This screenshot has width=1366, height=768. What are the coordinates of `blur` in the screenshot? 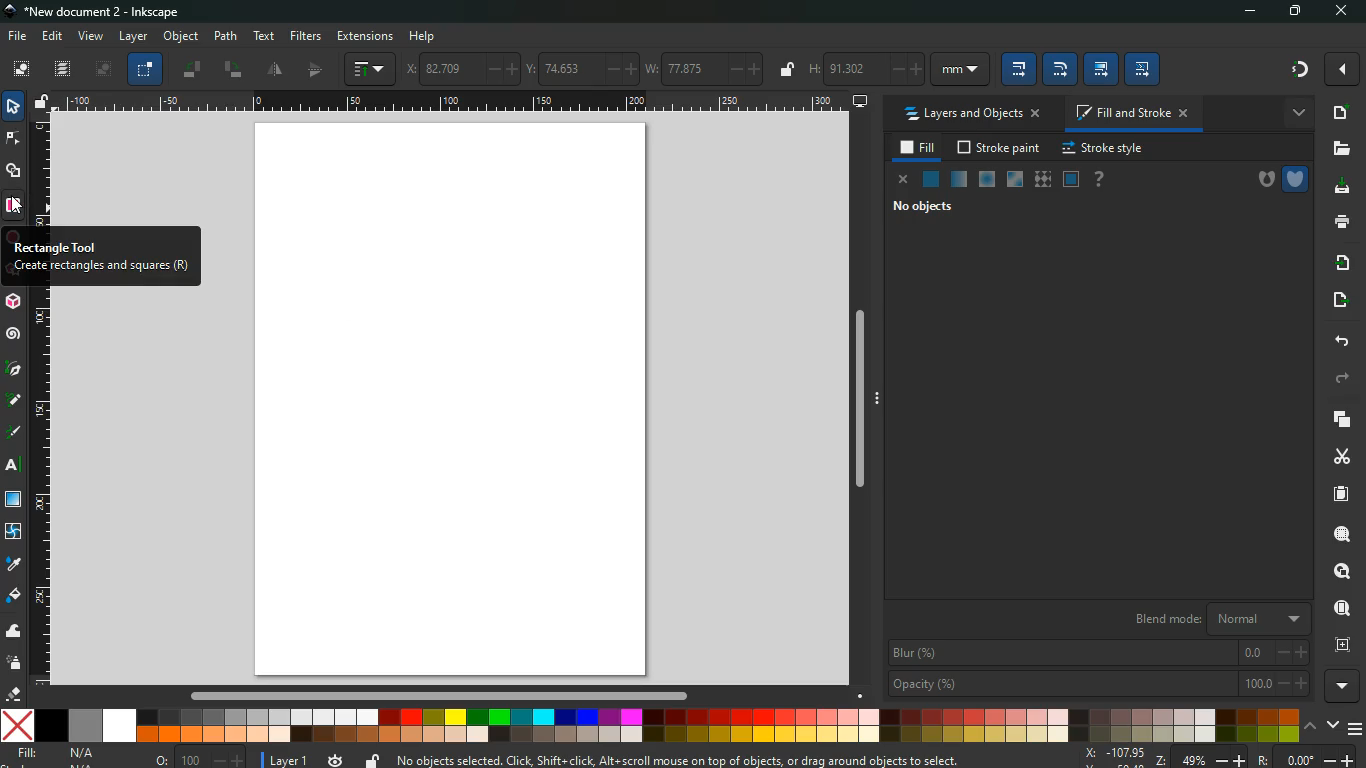 It's located at (1095, 652).